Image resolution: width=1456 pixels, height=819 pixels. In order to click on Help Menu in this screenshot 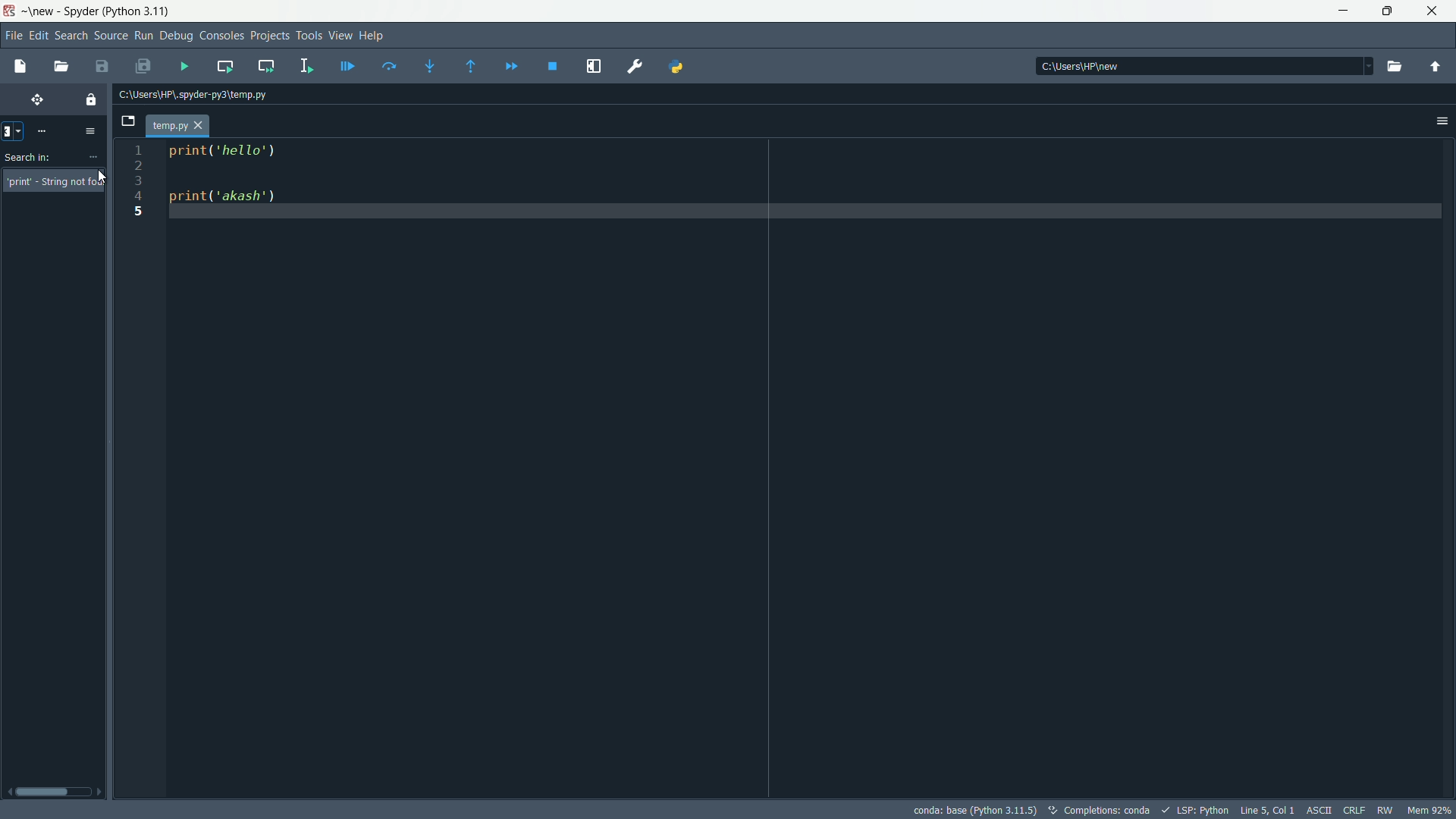, I will do `click(372, 35)`.